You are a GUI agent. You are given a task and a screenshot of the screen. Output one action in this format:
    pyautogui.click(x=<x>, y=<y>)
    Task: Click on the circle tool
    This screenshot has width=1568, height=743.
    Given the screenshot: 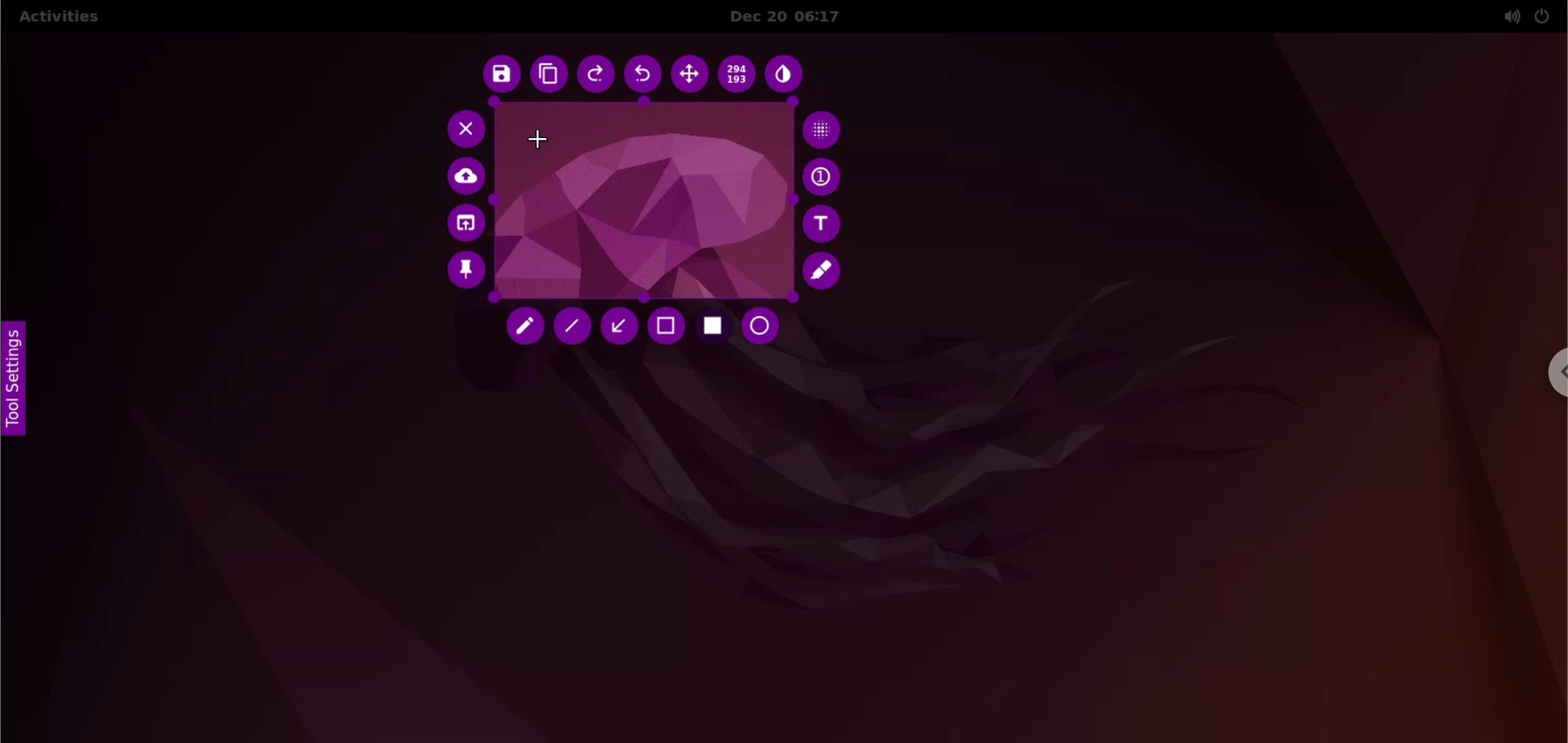 What is the action you would take?
    pyautogui.click(x=765, y=327)
    